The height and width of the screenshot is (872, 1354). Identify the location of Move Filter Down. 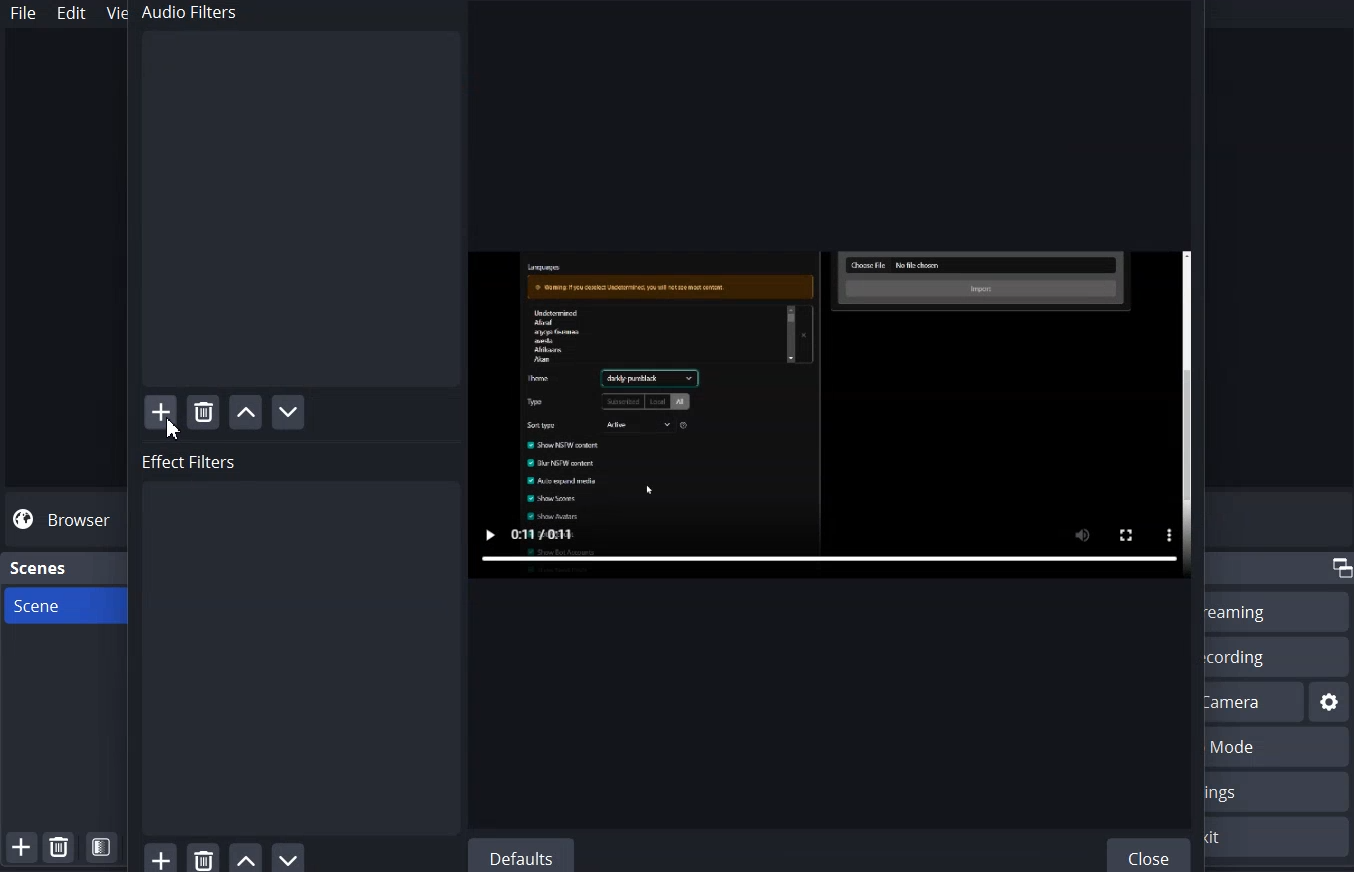
(290, 857).